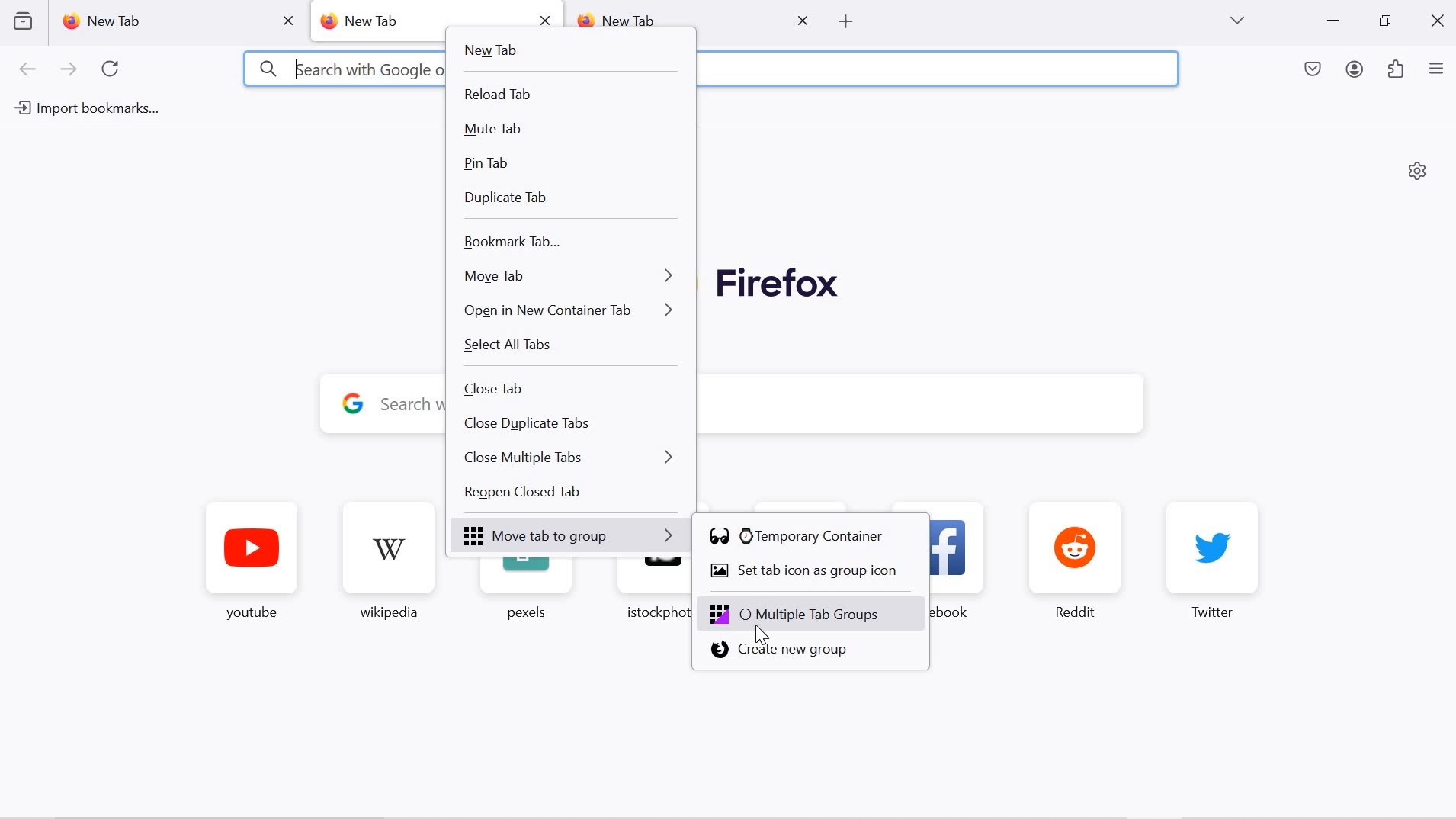 Image resolution: width=1456 pixels, height=819 pixels. What do you see at coordinates (760, 636) in the screenshot?
I see `cursor` at bounding box center [760, 636].